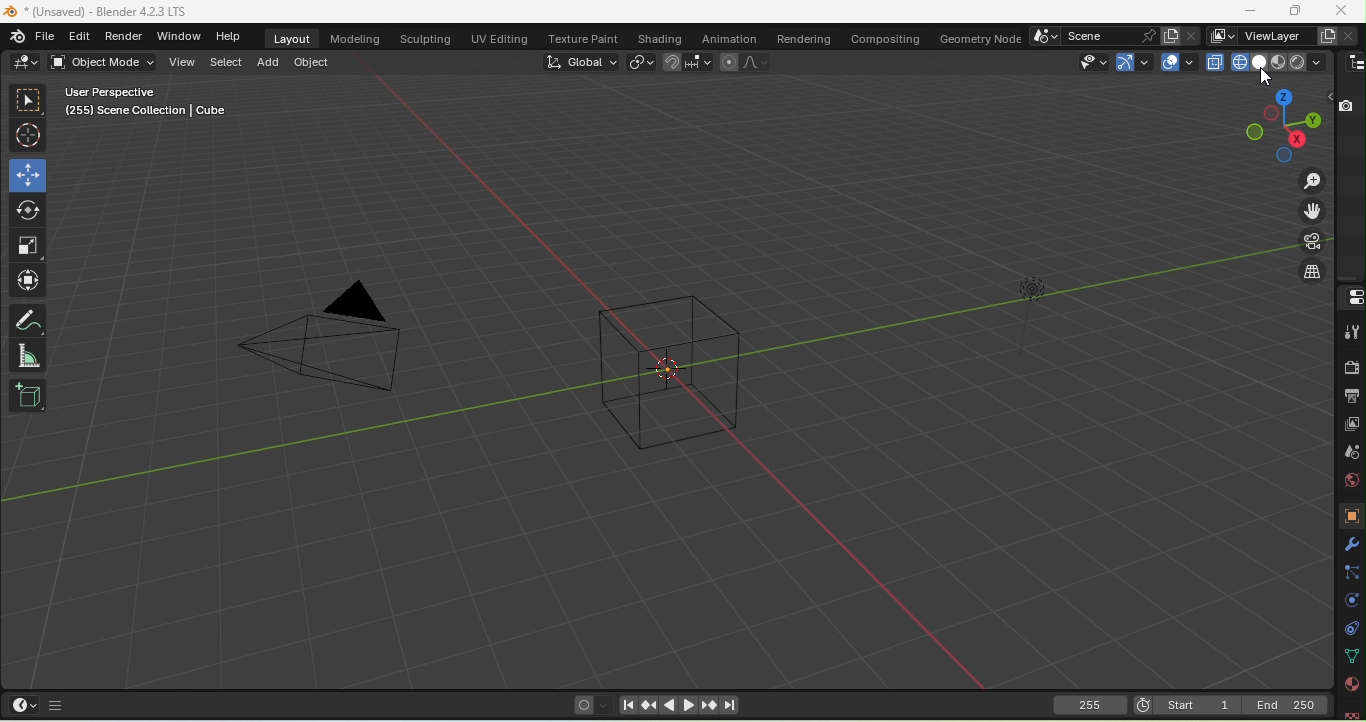 This screenshot has height=722, width=1366. I want to click on Render, so click(1351, 366).